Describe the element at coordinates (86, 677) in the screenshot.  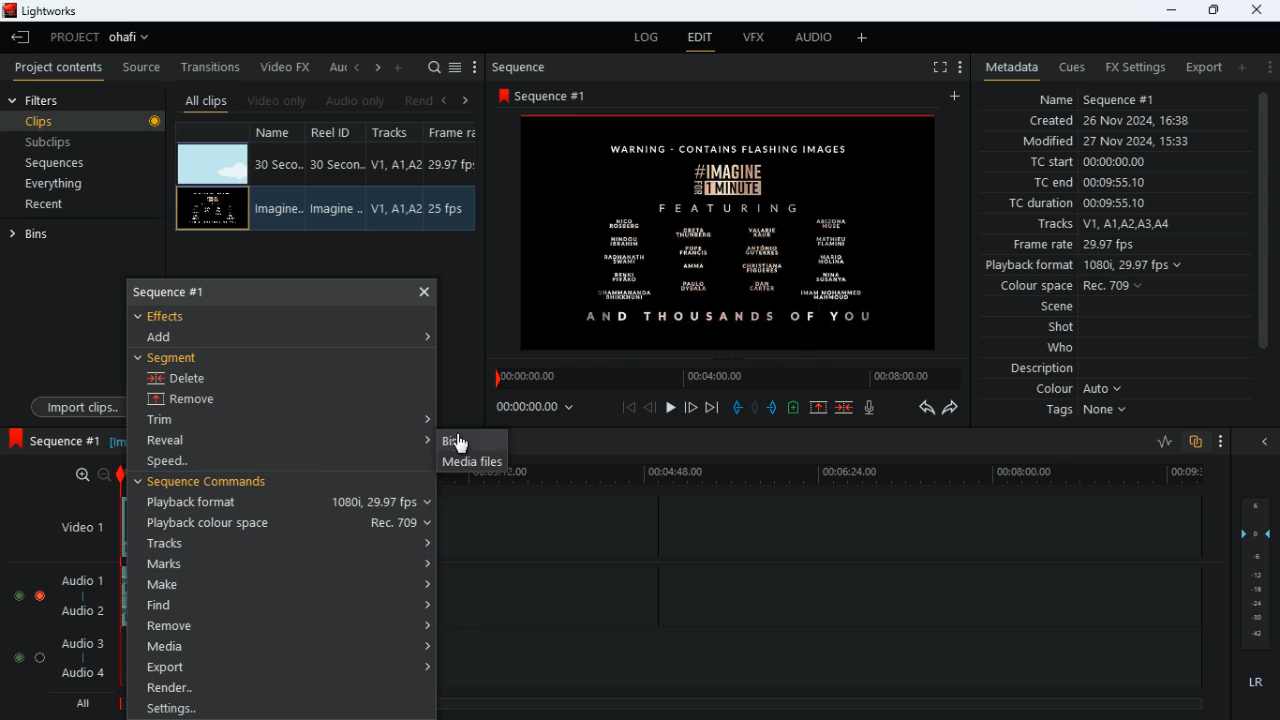
I see `audio 4` at that location.